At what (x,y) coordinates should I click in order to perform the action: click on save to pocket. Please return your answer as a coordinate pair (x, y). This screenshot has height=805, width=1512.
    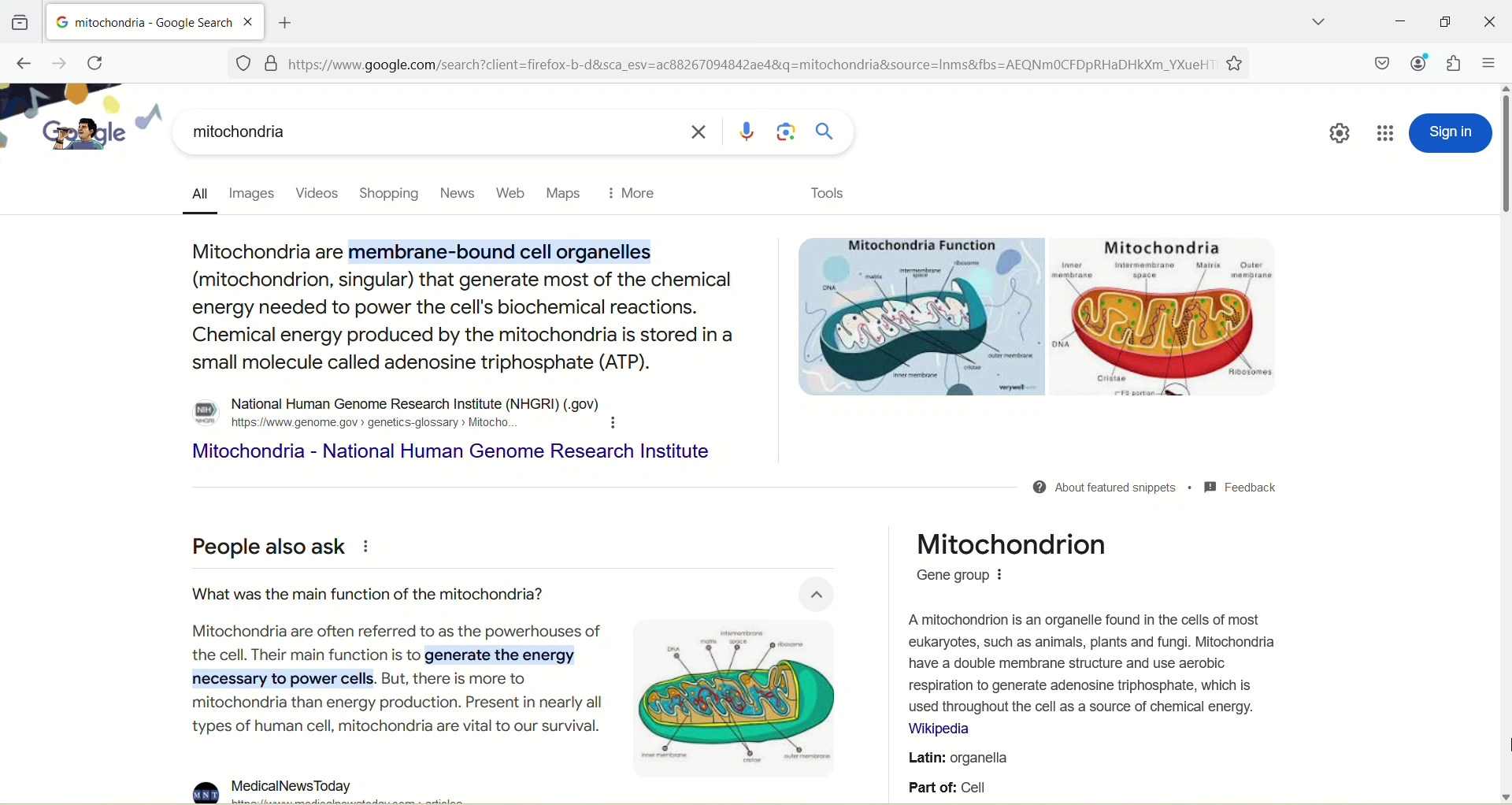
    Looking at the image, I should click on (1381, 63).